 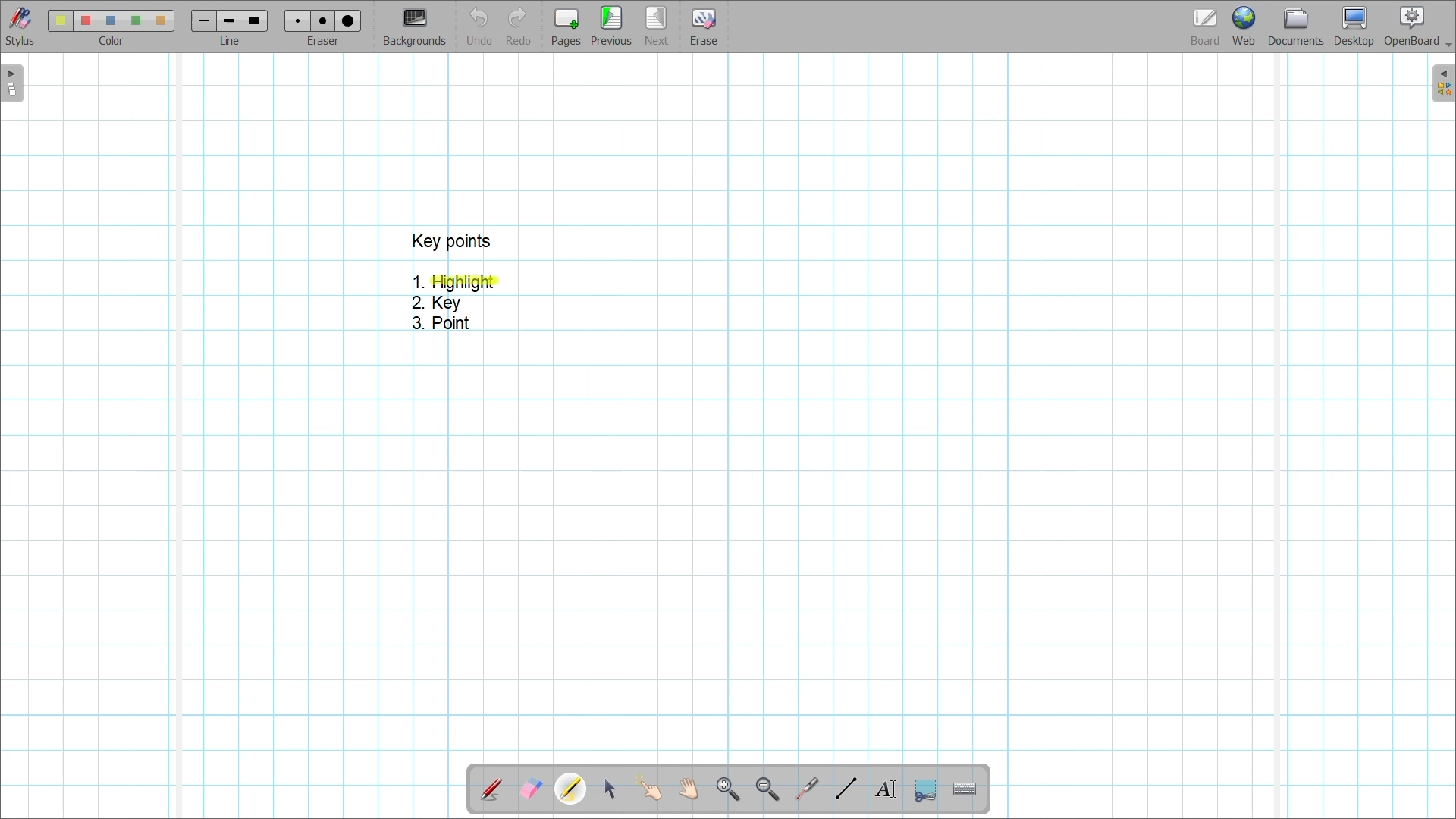 I want to click on OpenBoard, so click(x=1417, y=27).